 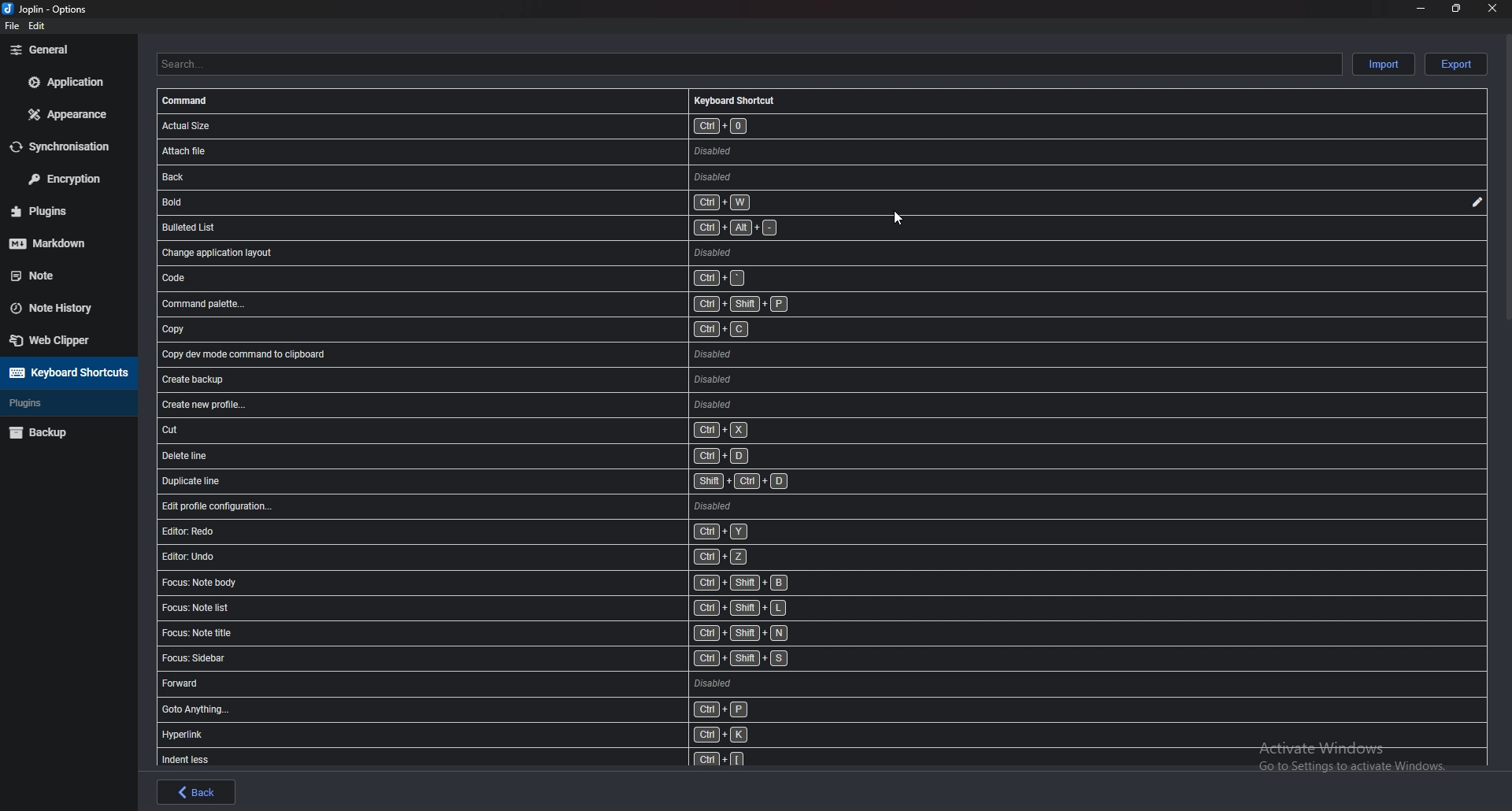 I want to click on shortcut, so click(x=517, y=683).